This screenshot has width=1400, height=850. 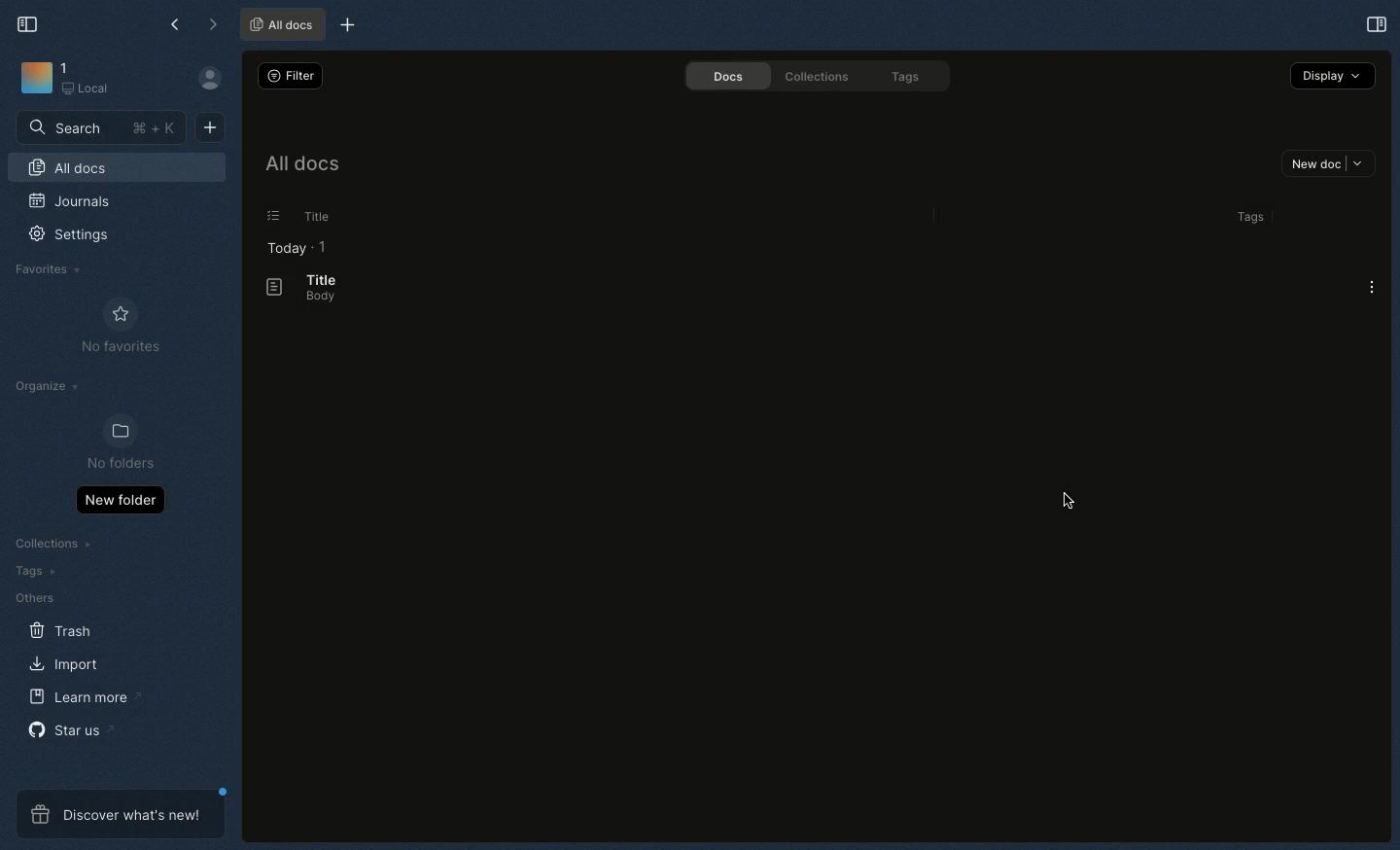 I want to click on Back, so click(x=177, y=24).